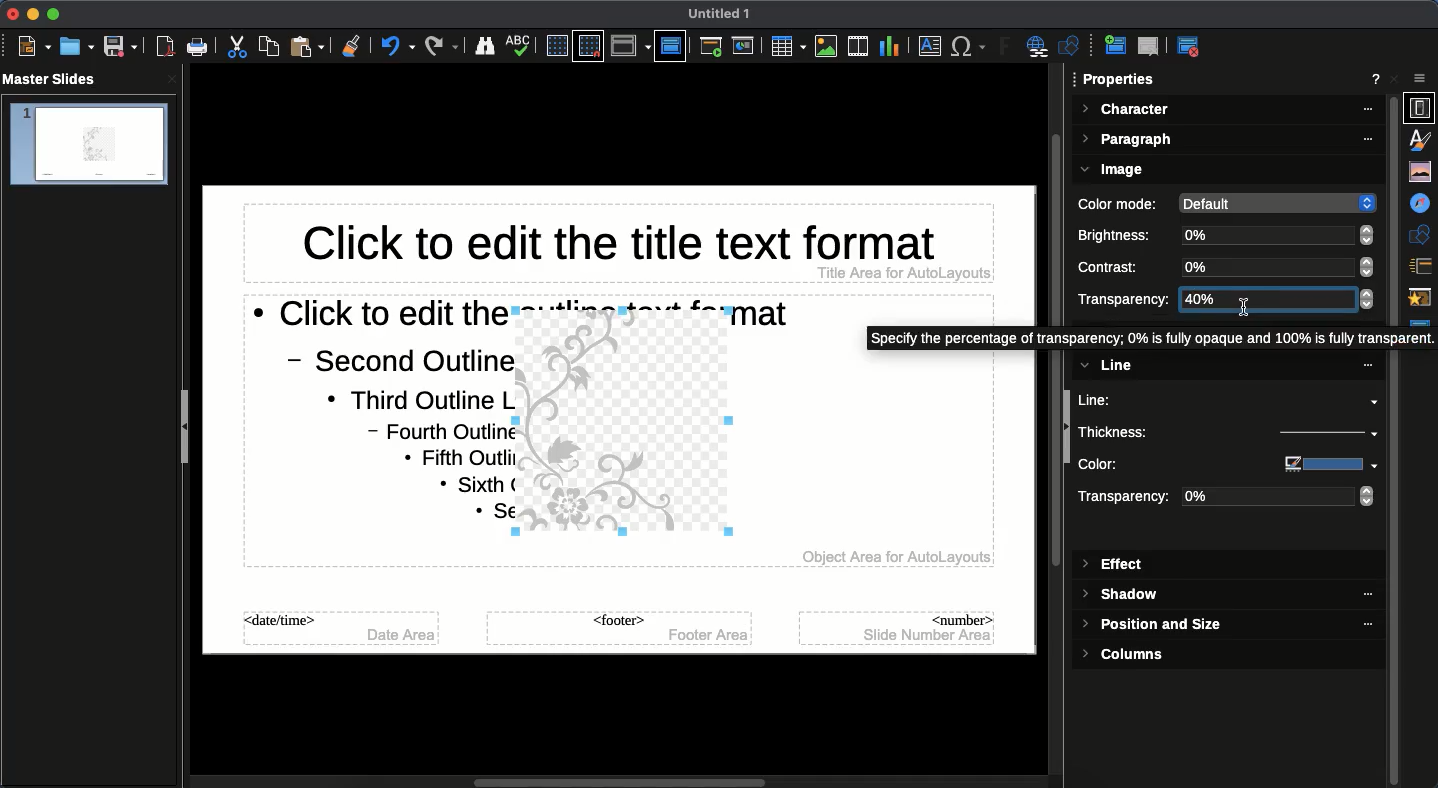 The image size is (1438, 788). I want to click on Master slide, so click(1423, 329).